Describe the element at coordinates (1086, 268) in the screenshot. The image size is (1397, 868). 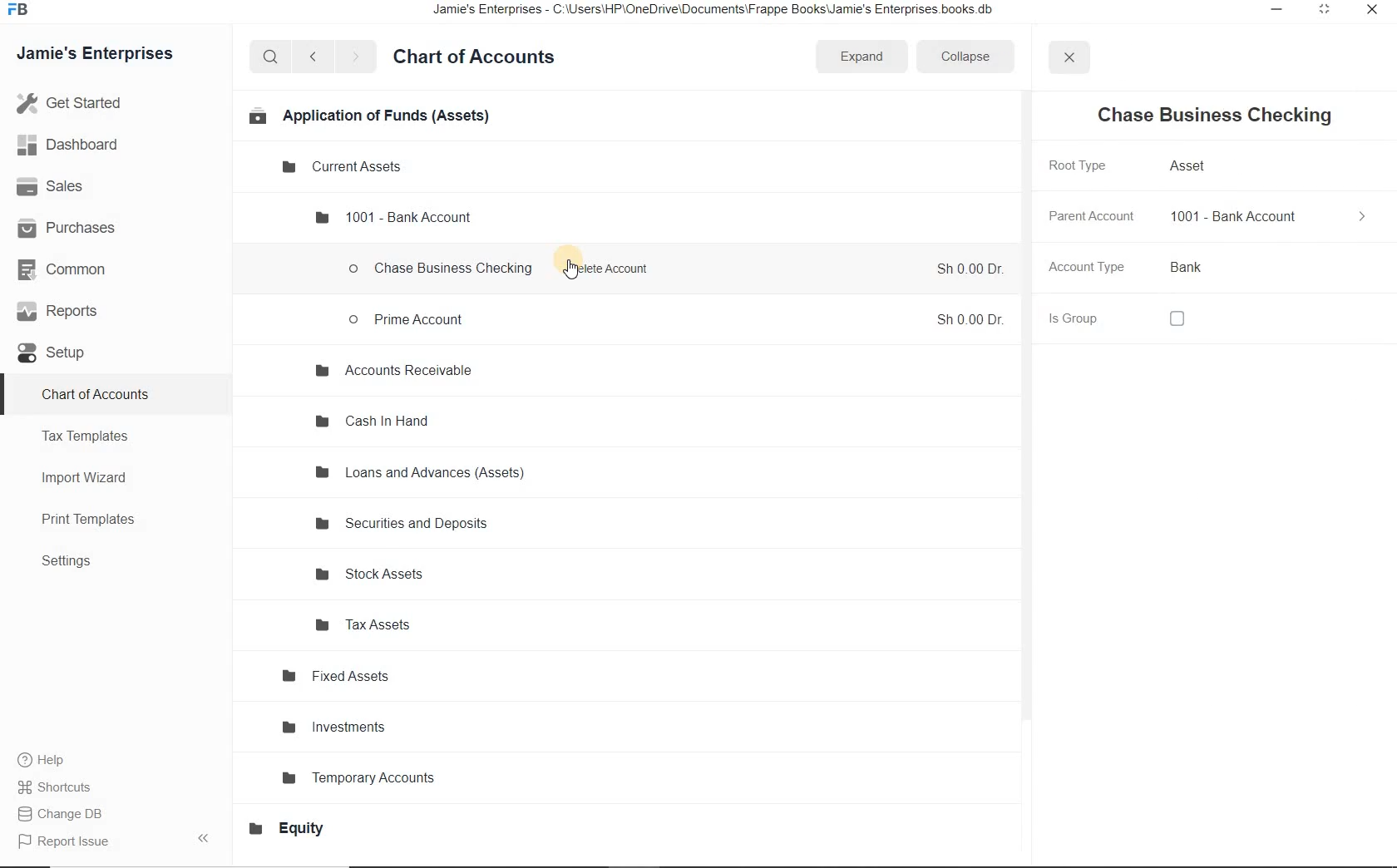
I see `Account Type` at that location.